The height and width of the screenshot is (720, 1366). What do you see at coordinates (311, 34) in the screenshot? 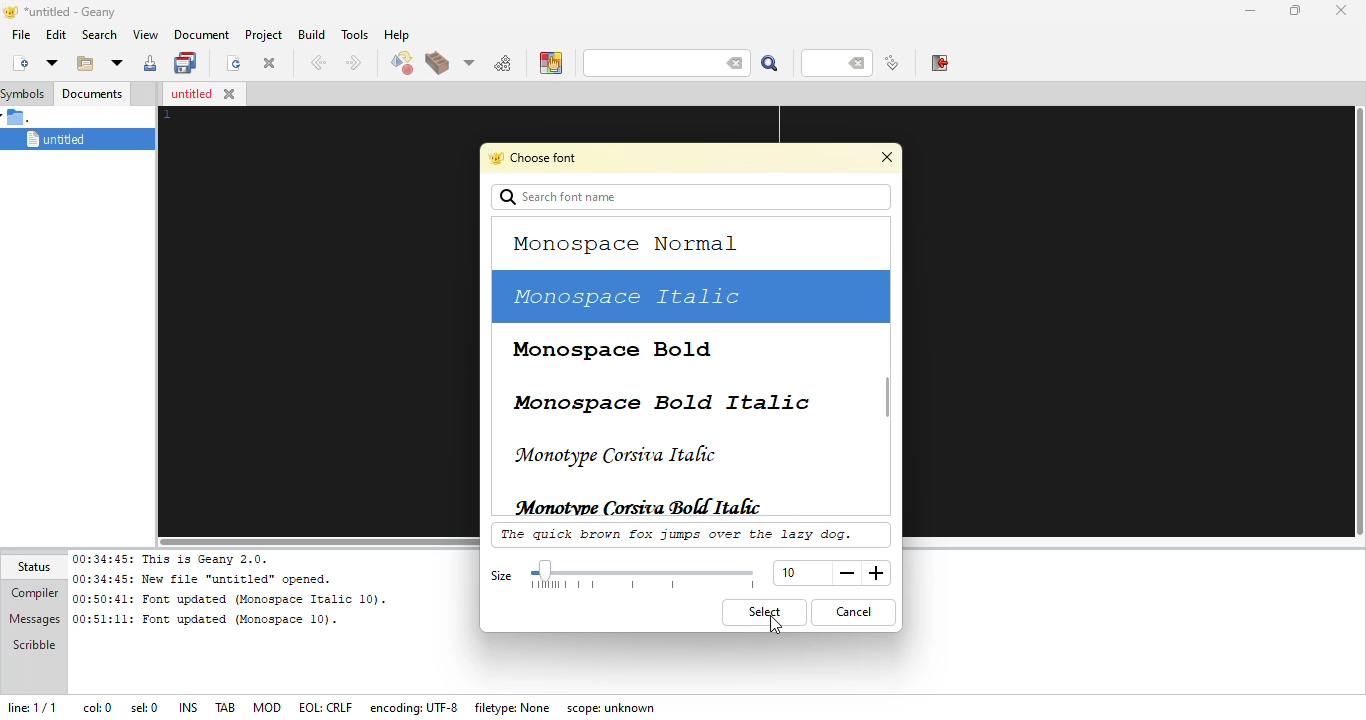
I see `build` at bounding box center [311, 34].